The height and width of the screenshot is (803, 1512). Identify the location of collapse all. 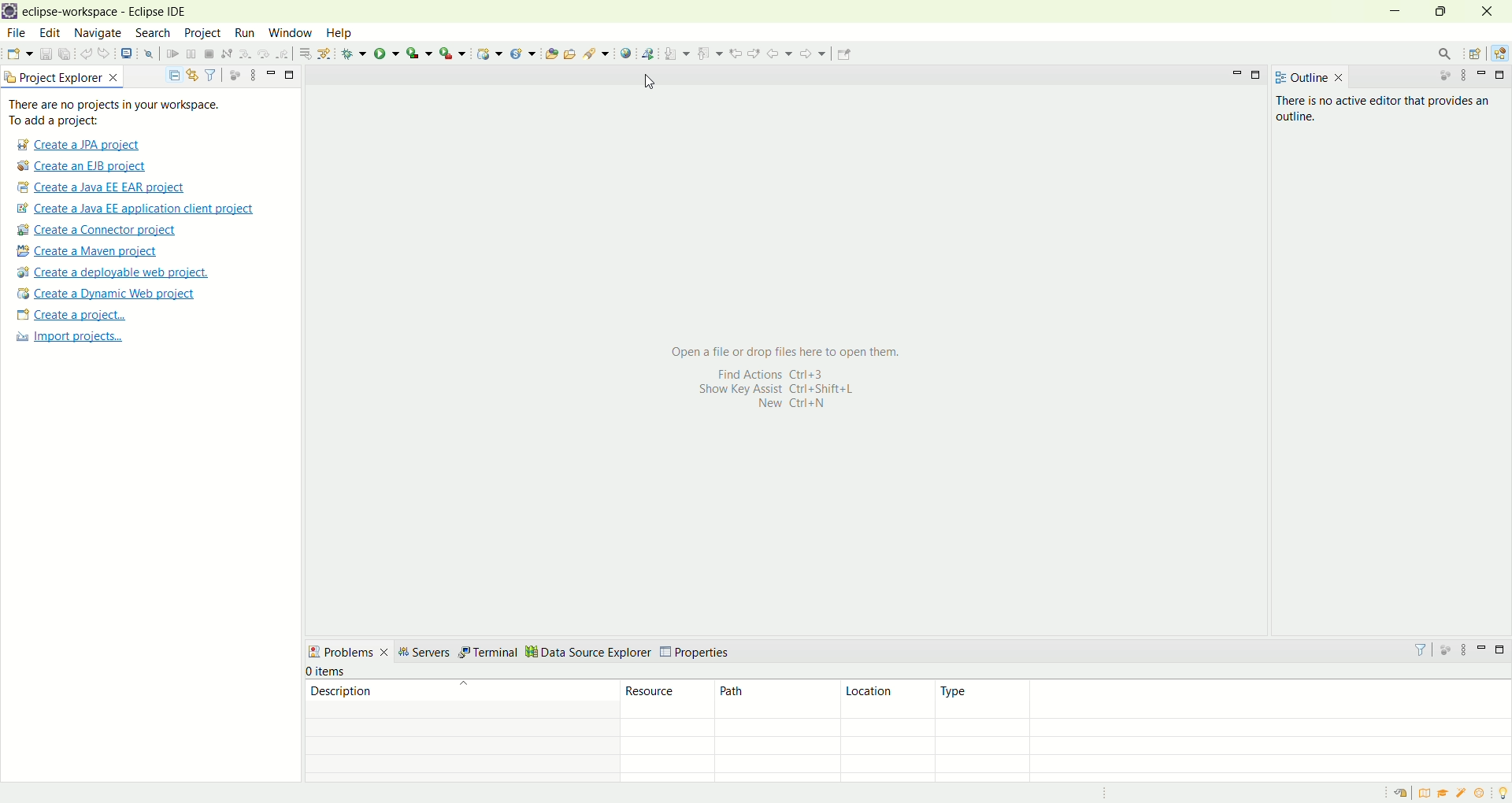
(170, 76).